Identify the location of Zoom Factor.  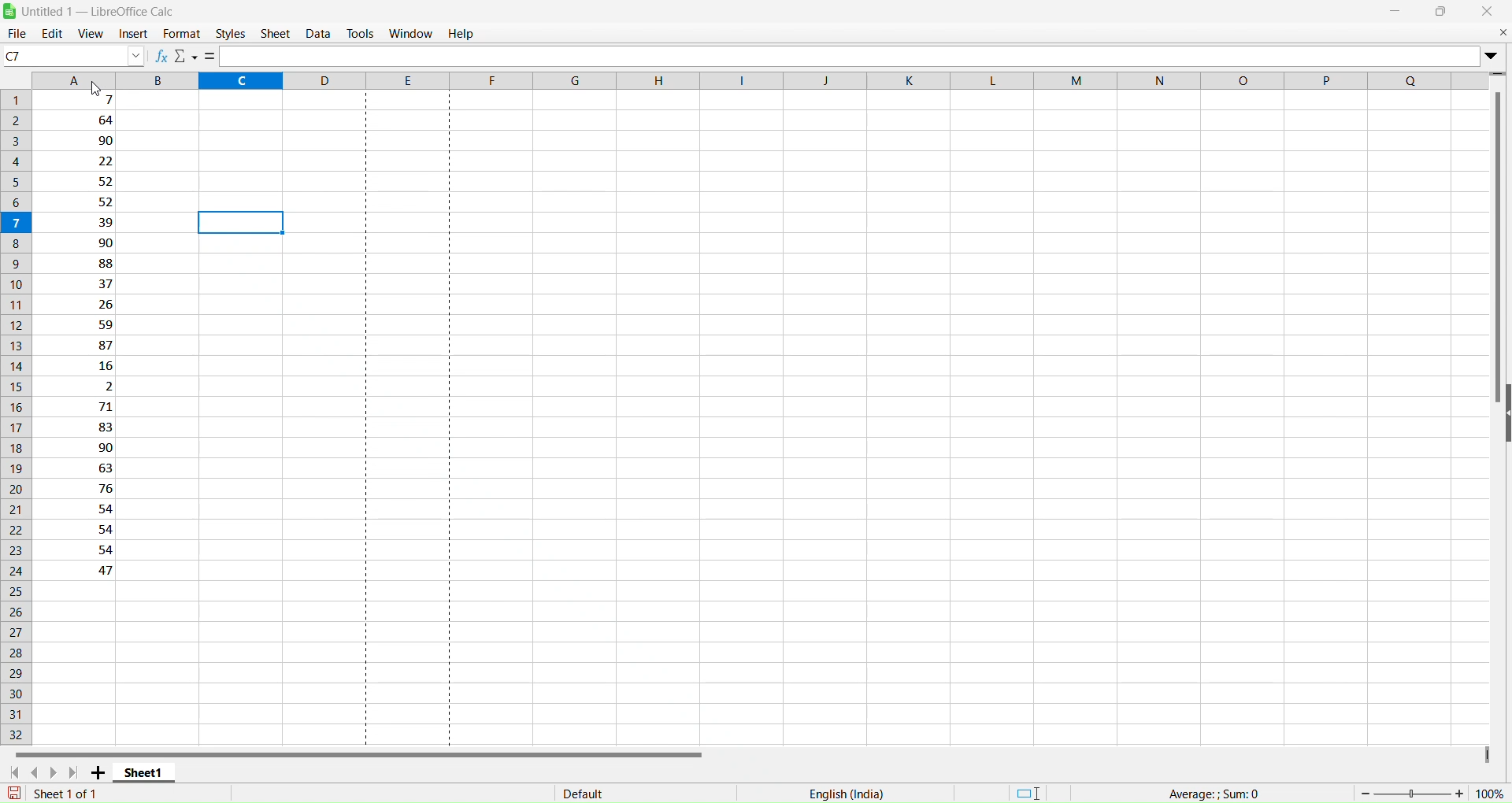
(1433, 792).